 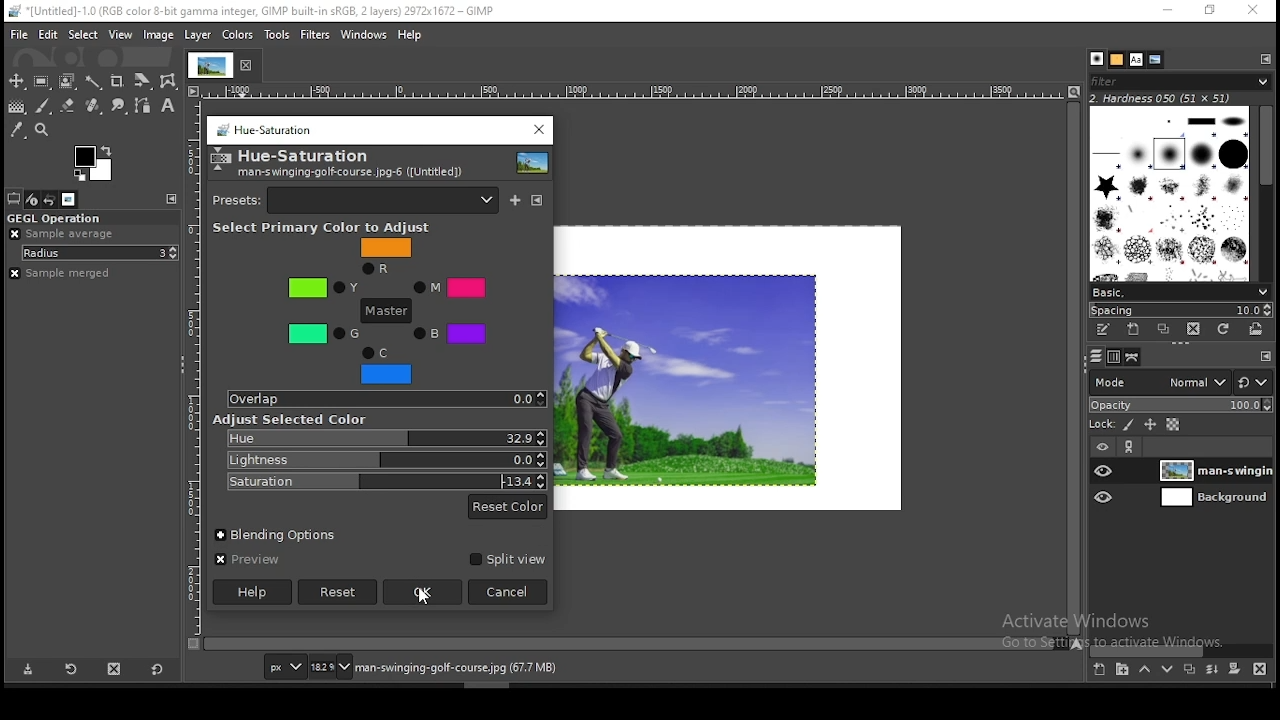 What do you see at coordinates (32, 669) in the screenshot?
I see `save tool preset` at bounding box center [32, 669].